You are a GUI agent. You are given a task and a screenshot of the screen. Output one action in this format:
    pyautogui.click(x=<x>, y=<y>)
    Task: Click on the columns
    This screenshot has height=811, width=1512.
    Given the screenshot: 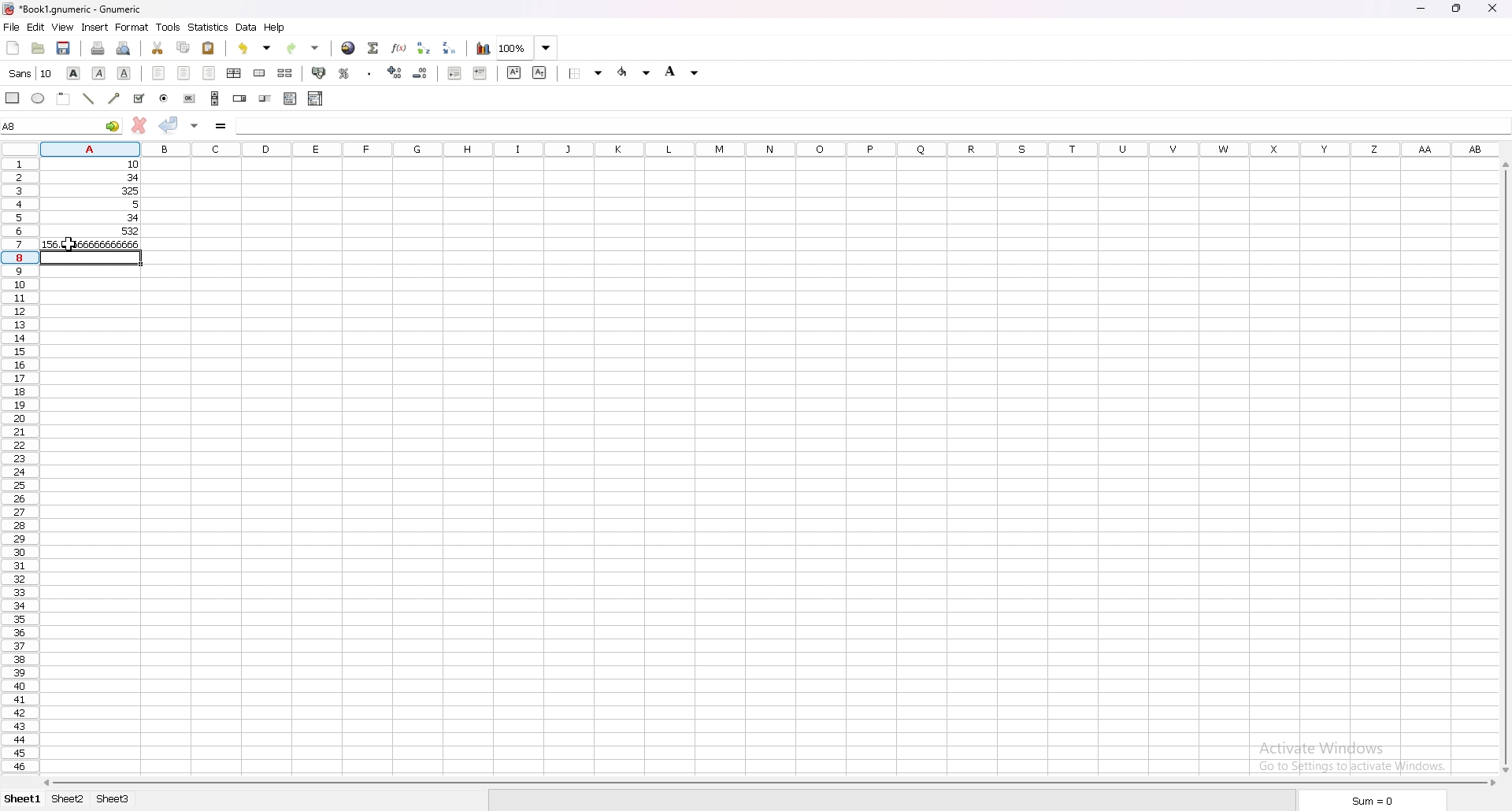 What is the action you would take?
    pyautogui.click(x=771, y=150)
    